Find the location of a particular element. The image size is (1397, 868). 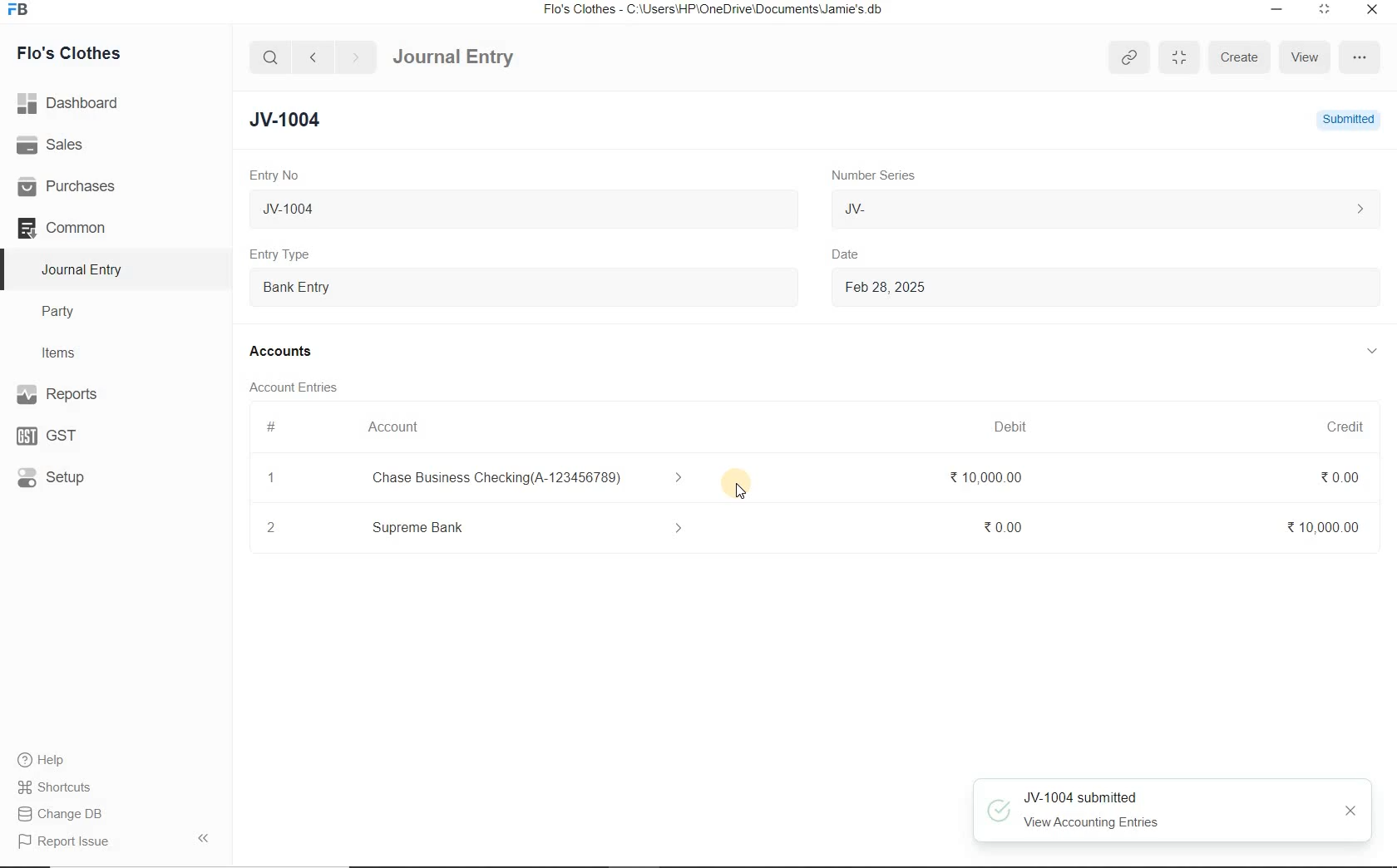

minimise/maximise is located at coordinates (1177, 60).